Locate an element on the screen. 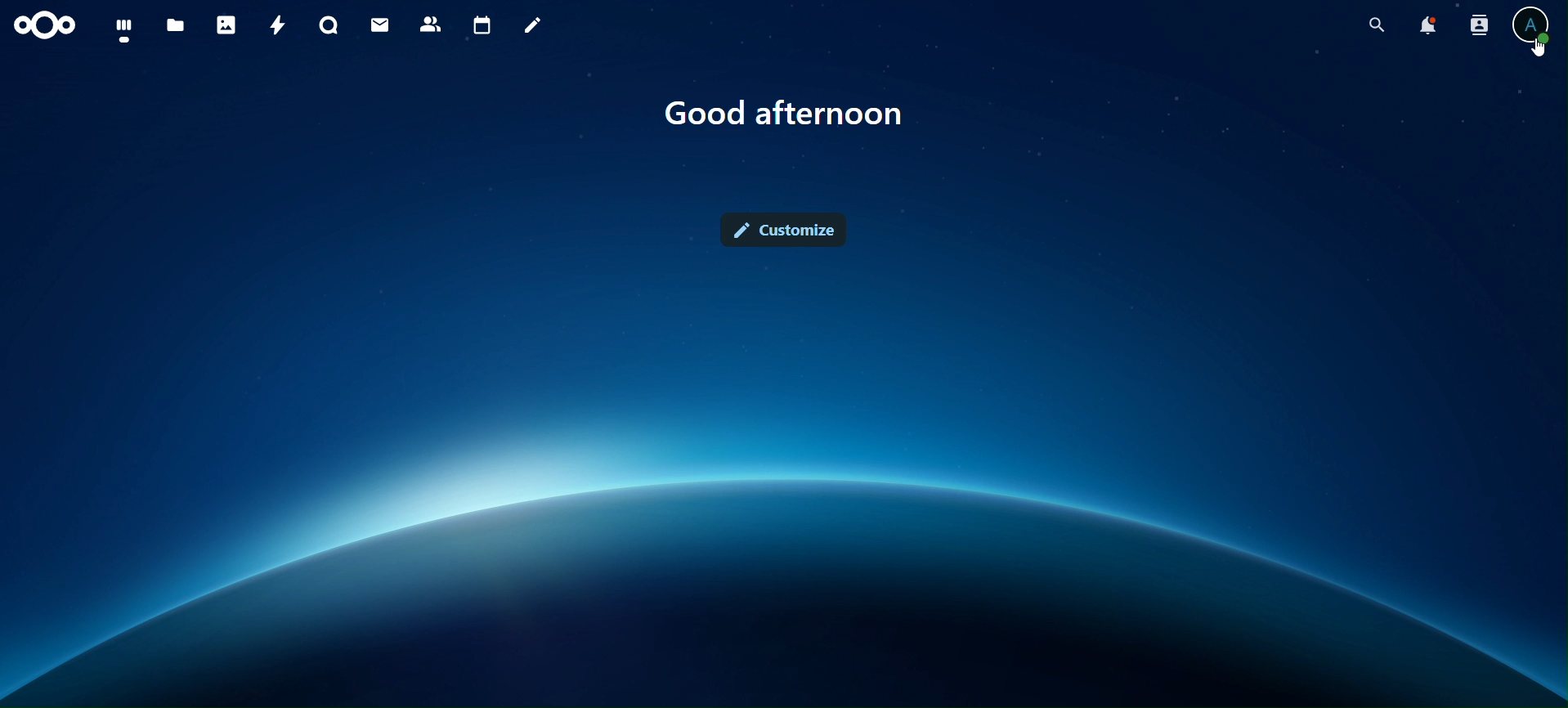 The width and height of the screenshot is (1568, 708). text is located at coordinates (785, 114).